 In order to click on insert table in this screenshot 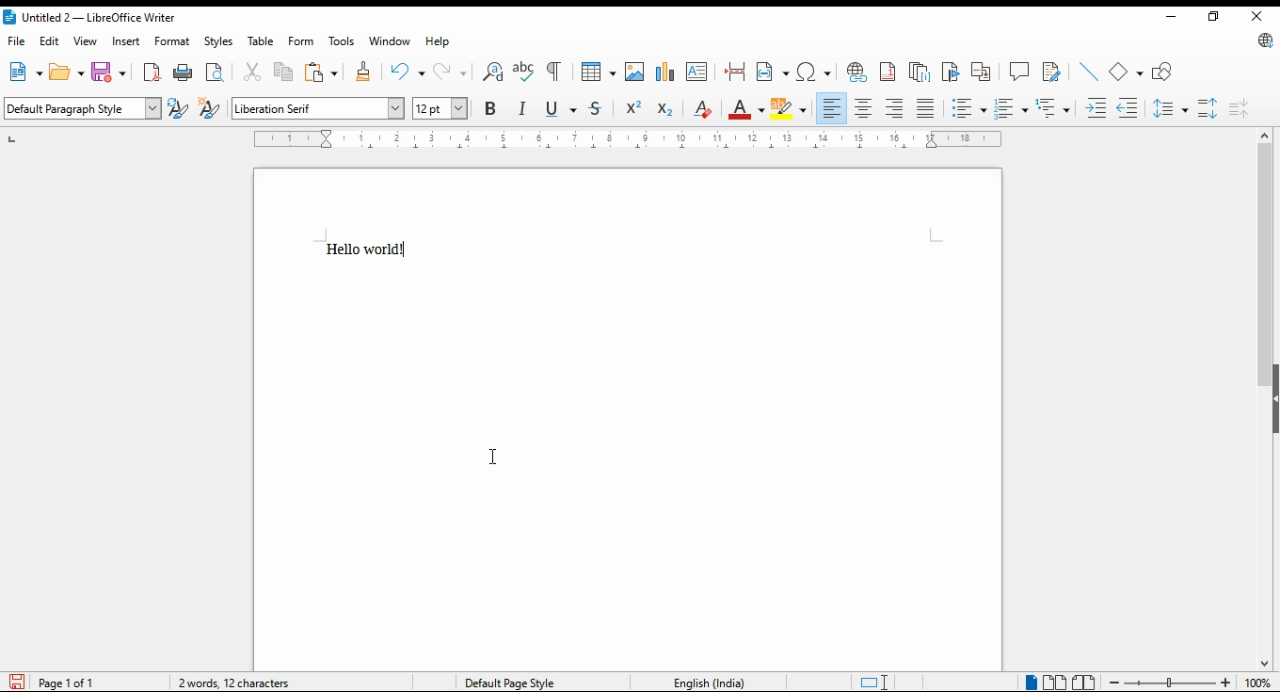, I will do `click(598, 73)`.